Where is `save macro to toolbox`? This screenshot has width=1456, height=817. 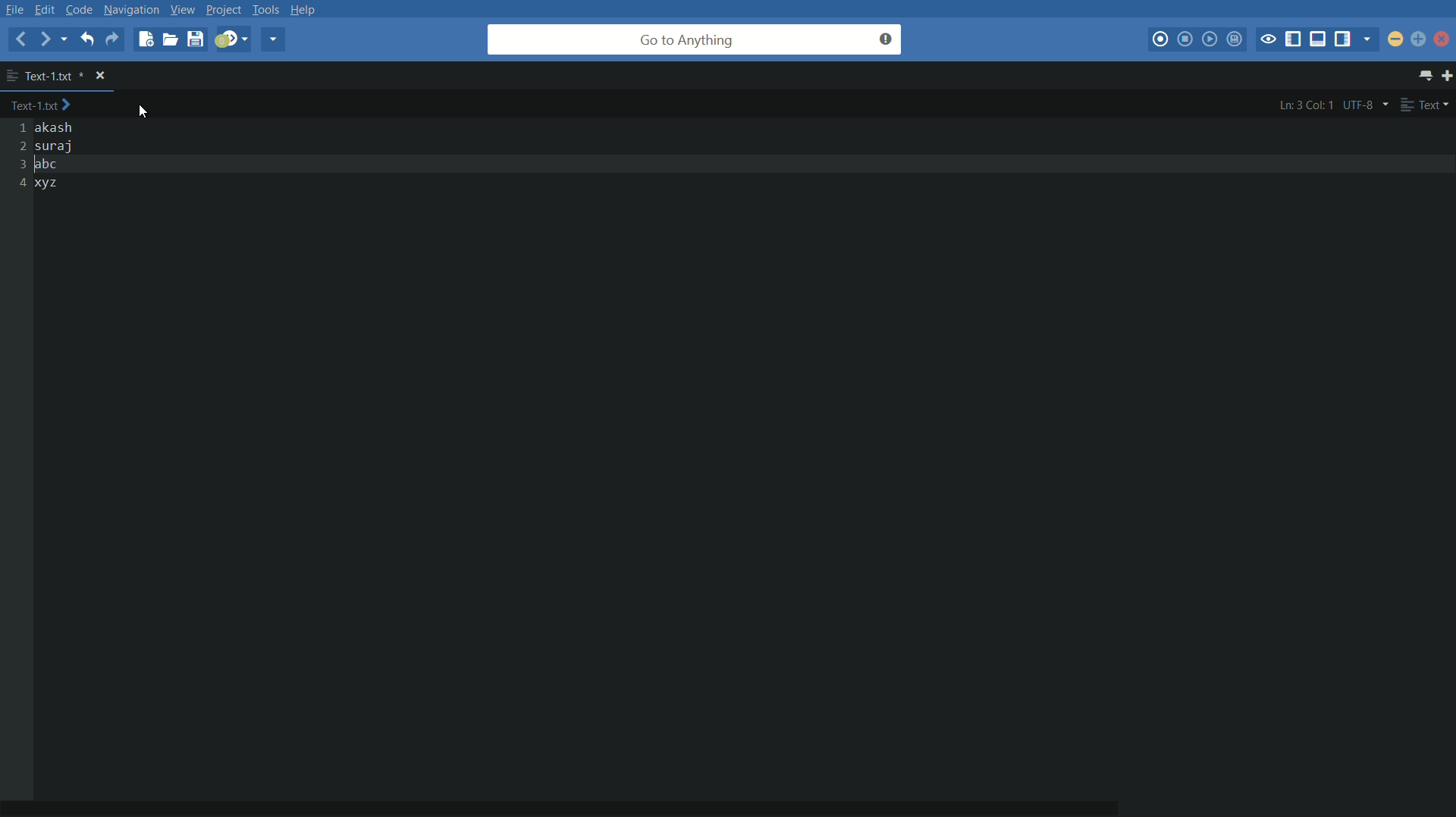
save macro to toolbox is located at coordinates (1236, 41).